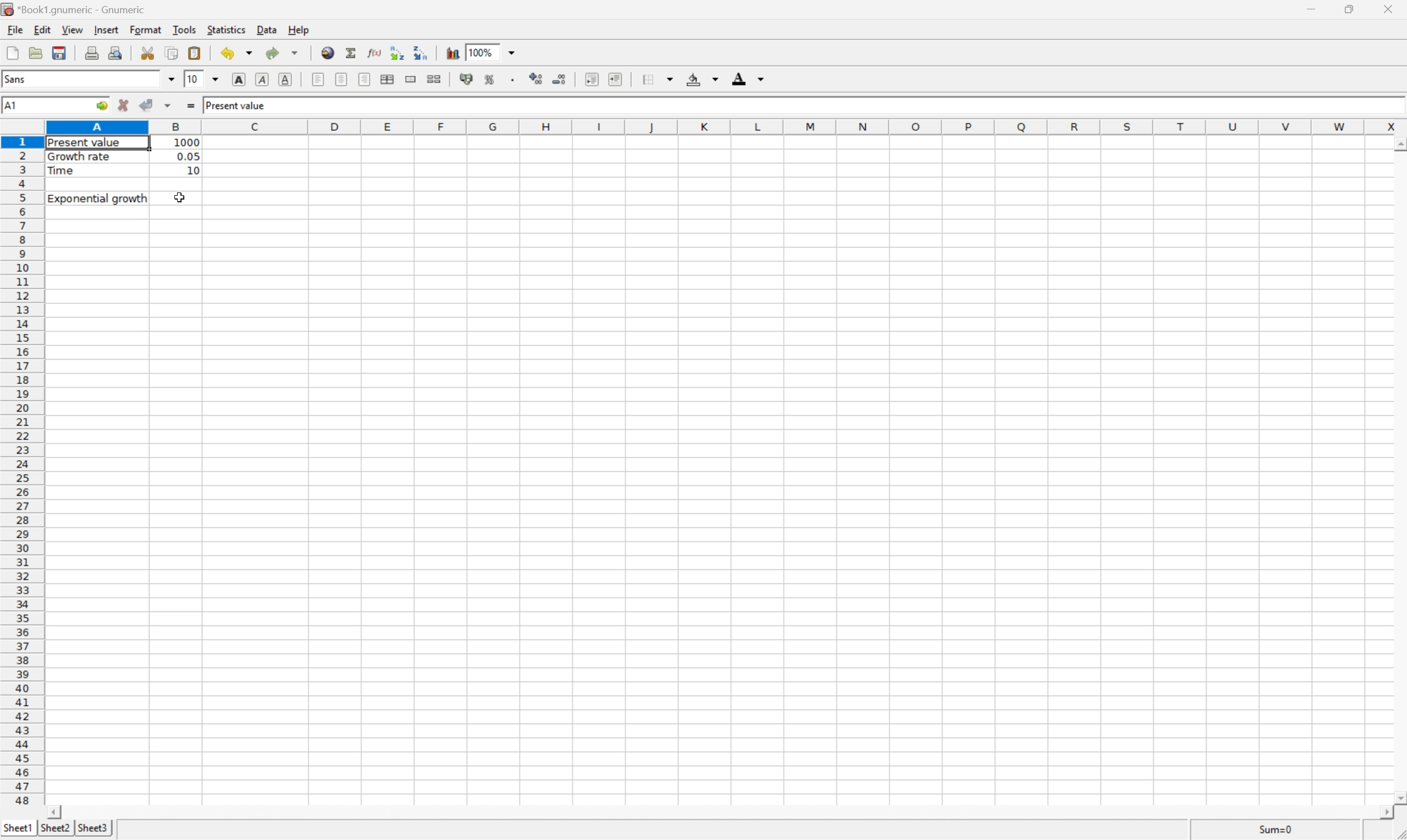 Image resolution: width=1407 pixels, height=840 pixels. What do you see at coordinates (240, 79) in the screenshot?
I see `Bold` at bounding box center [240, 79].